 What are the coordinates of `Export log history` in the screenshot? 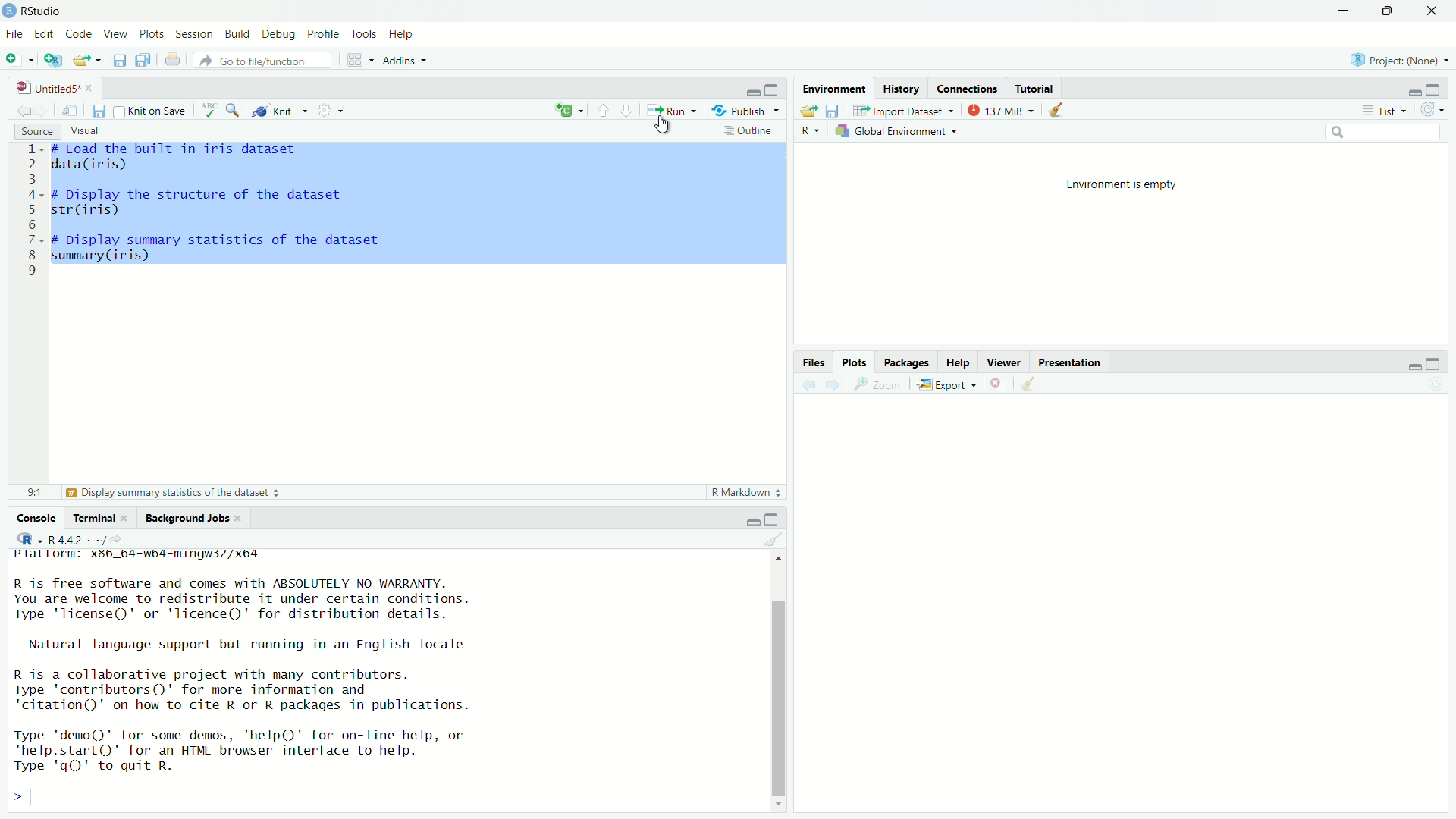 It's located at (811, 109).